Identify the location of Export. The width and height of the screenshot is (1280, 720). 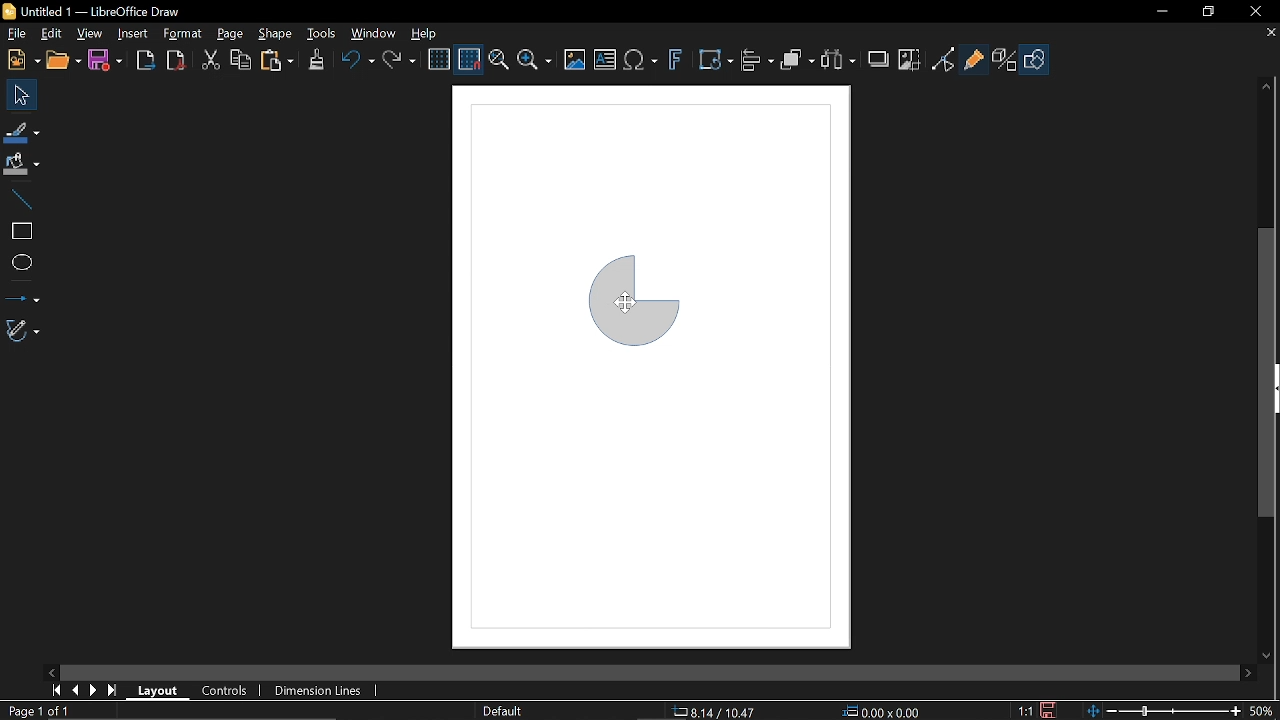
(146, 60).